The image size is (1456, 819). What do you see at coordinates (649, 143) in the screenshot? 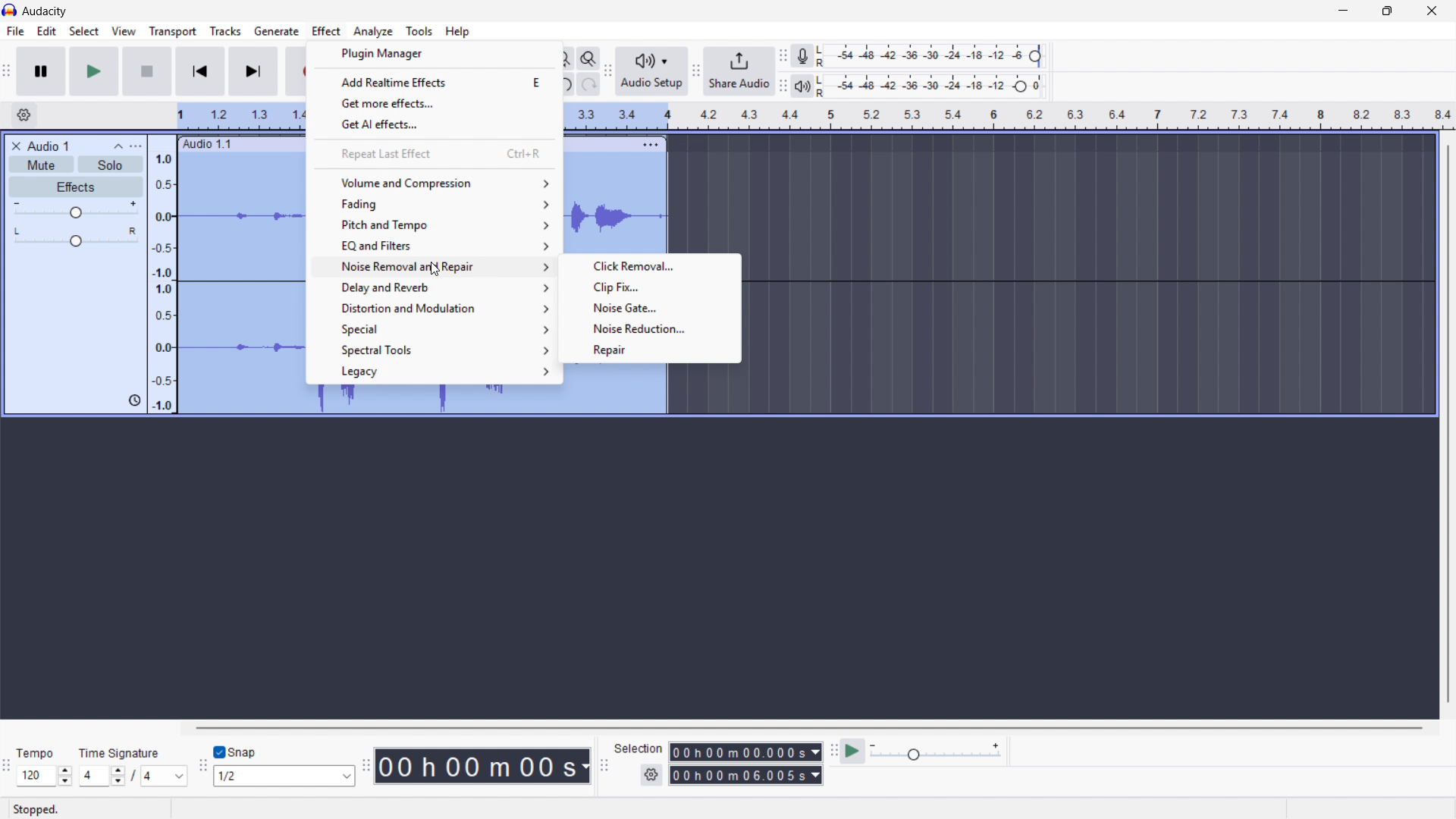
I see `Track options` at bounding box center [649, 143].